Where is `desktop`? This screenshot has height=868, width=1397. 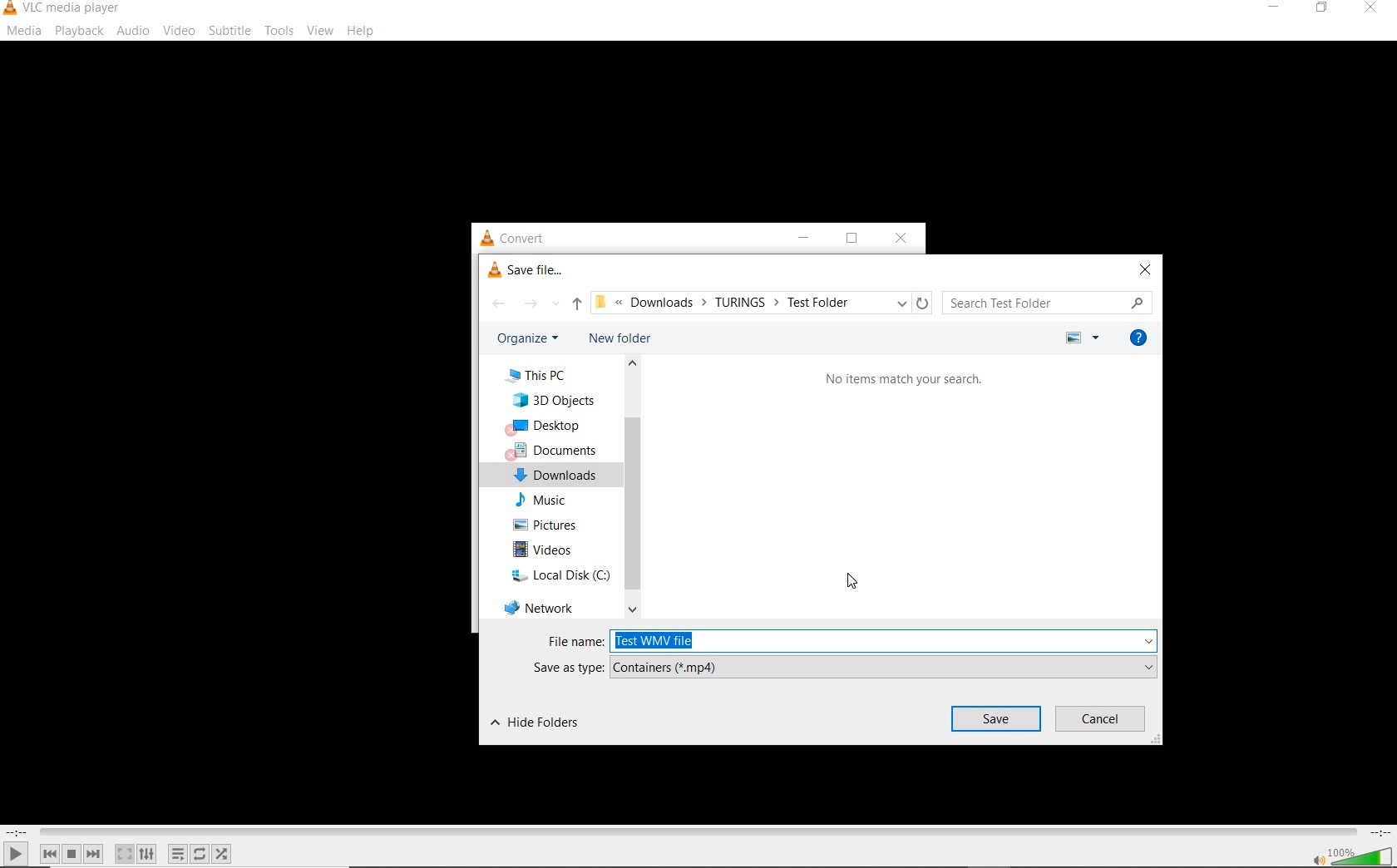
desktop is located at coordinates (545, 427).